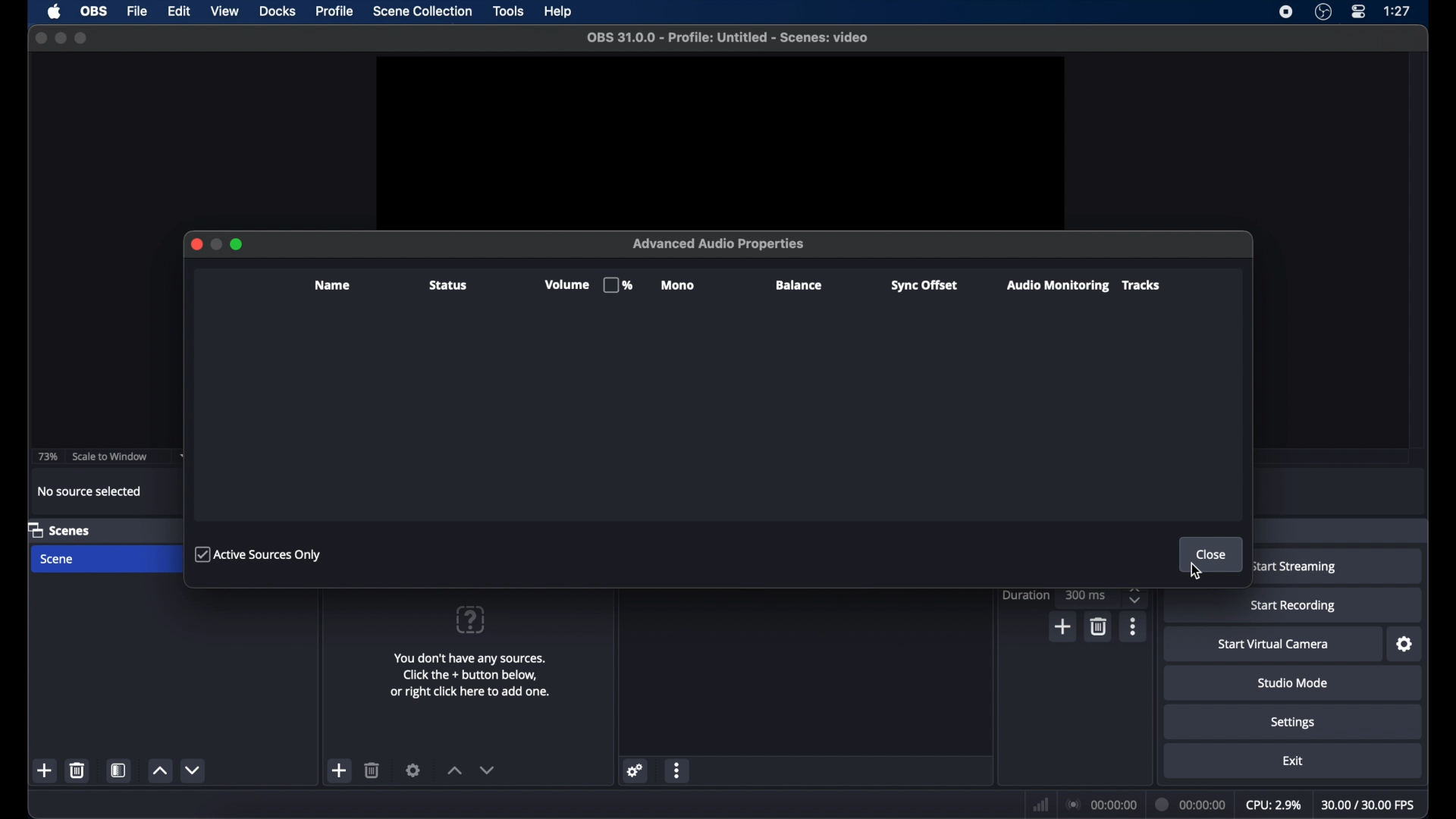  Describe the element at coordinates (720, 243) in the screenshot. I see `advanced audio properties` at that location.